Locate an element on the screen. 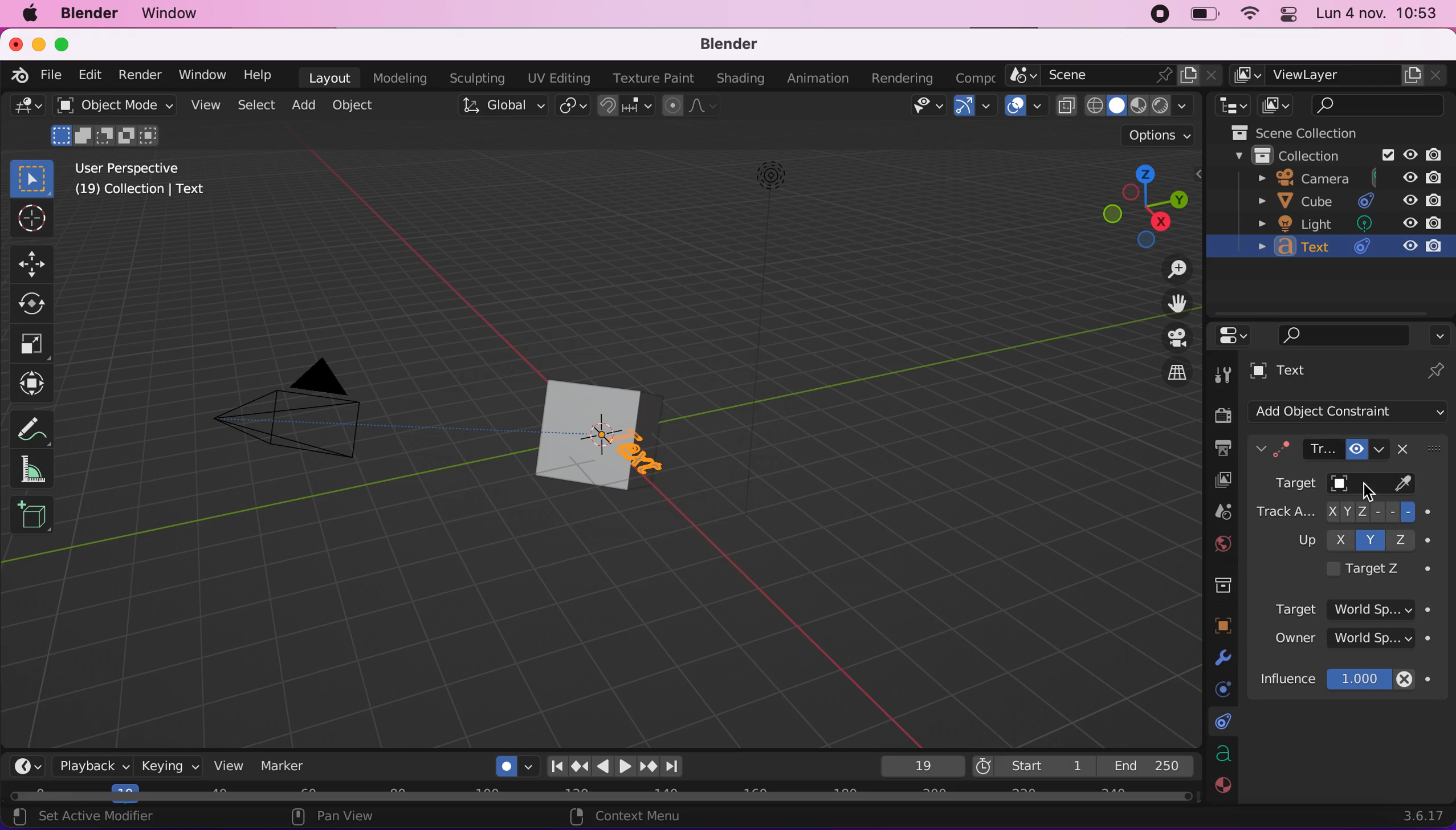 The width and height of the screenshot is (1456, 830). file is located at coordinates (52, 74).